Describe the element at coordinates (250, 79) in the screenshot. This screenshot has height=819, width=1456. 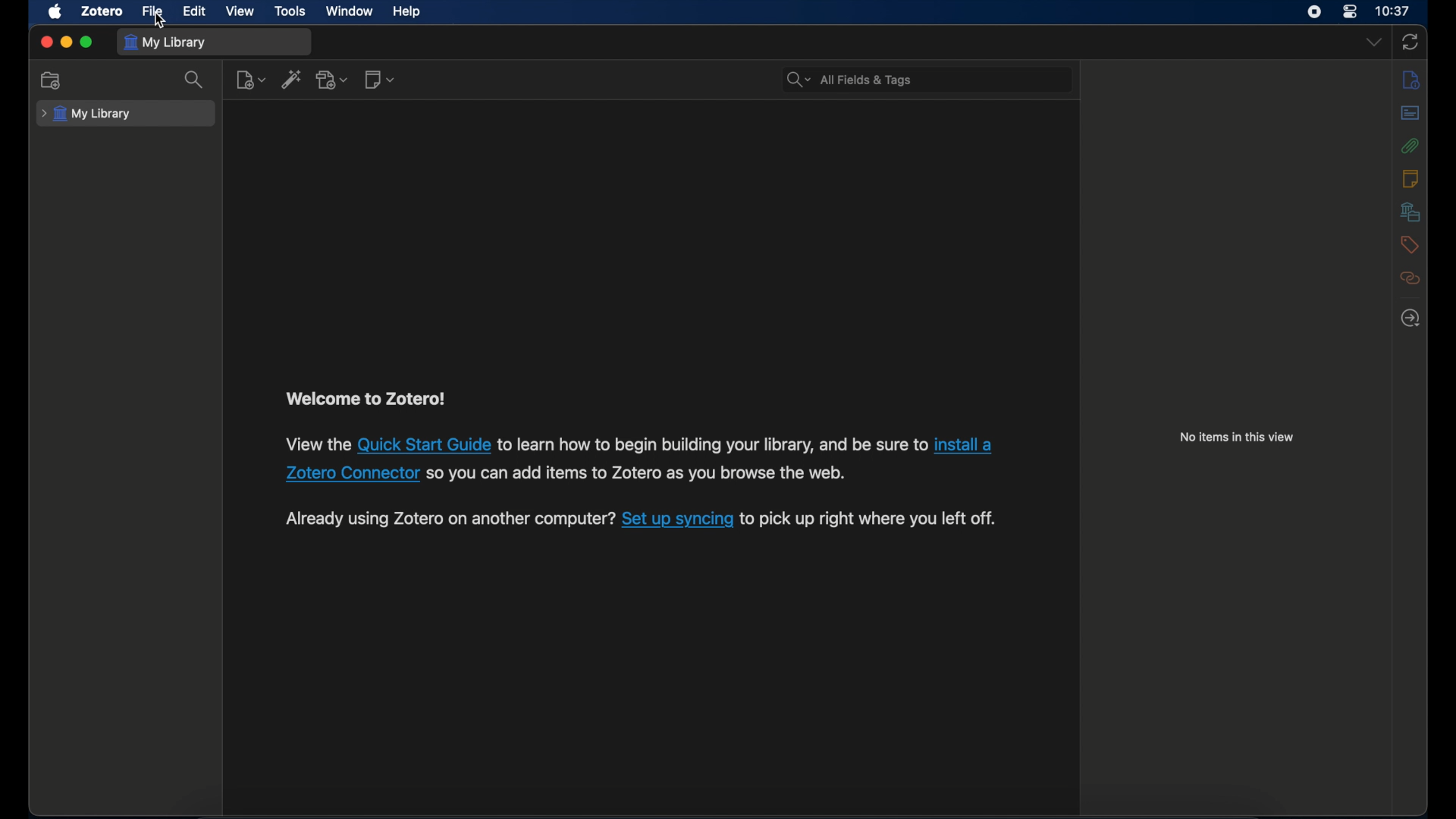
I see `new item` at that location.